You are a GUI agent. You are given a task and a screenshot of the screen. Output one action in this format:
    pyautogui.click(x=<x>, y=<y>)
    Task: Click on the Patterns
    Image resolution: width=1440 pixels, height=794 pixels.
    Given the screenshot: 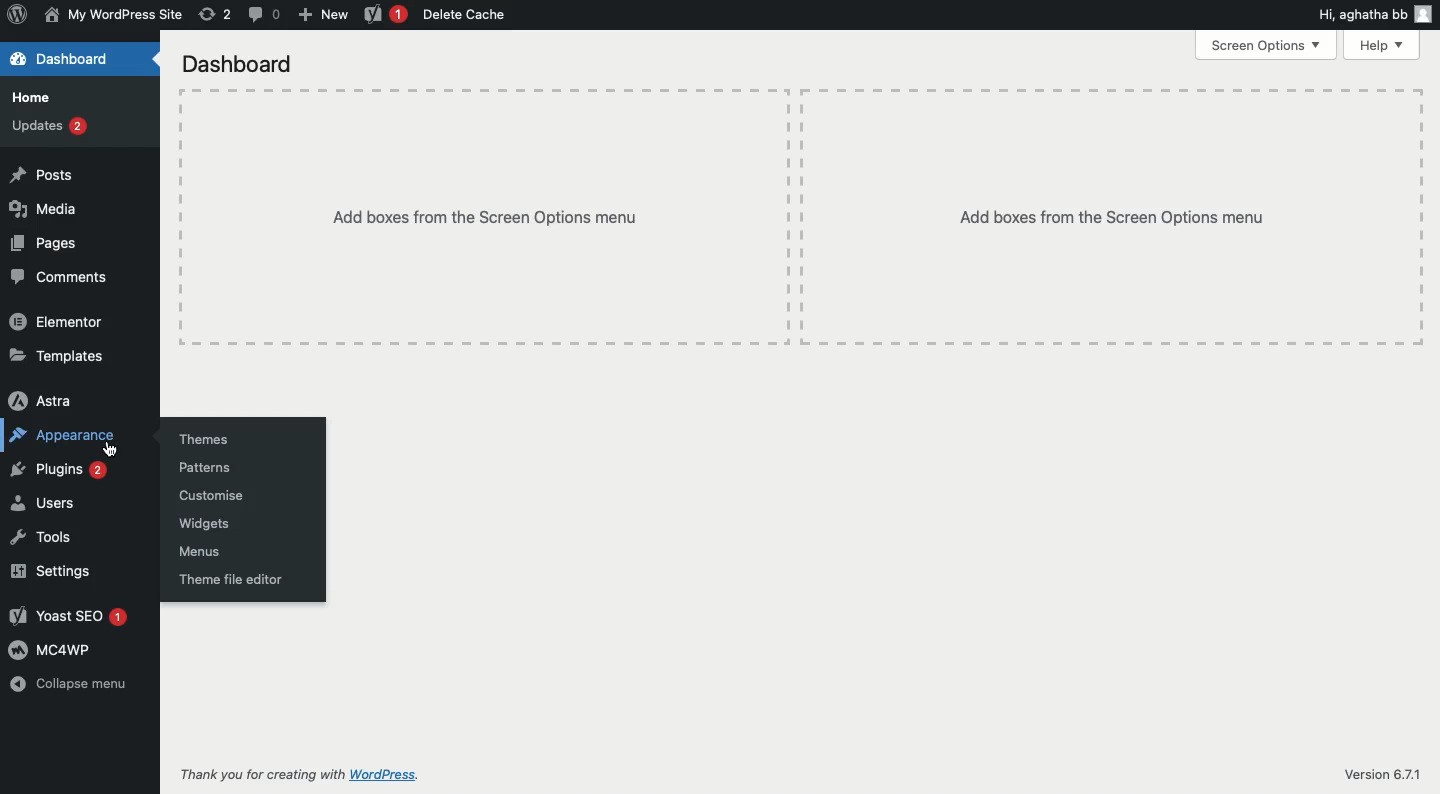 What is the action you would take?
    pyautogui.click(x=203, y=468)
    